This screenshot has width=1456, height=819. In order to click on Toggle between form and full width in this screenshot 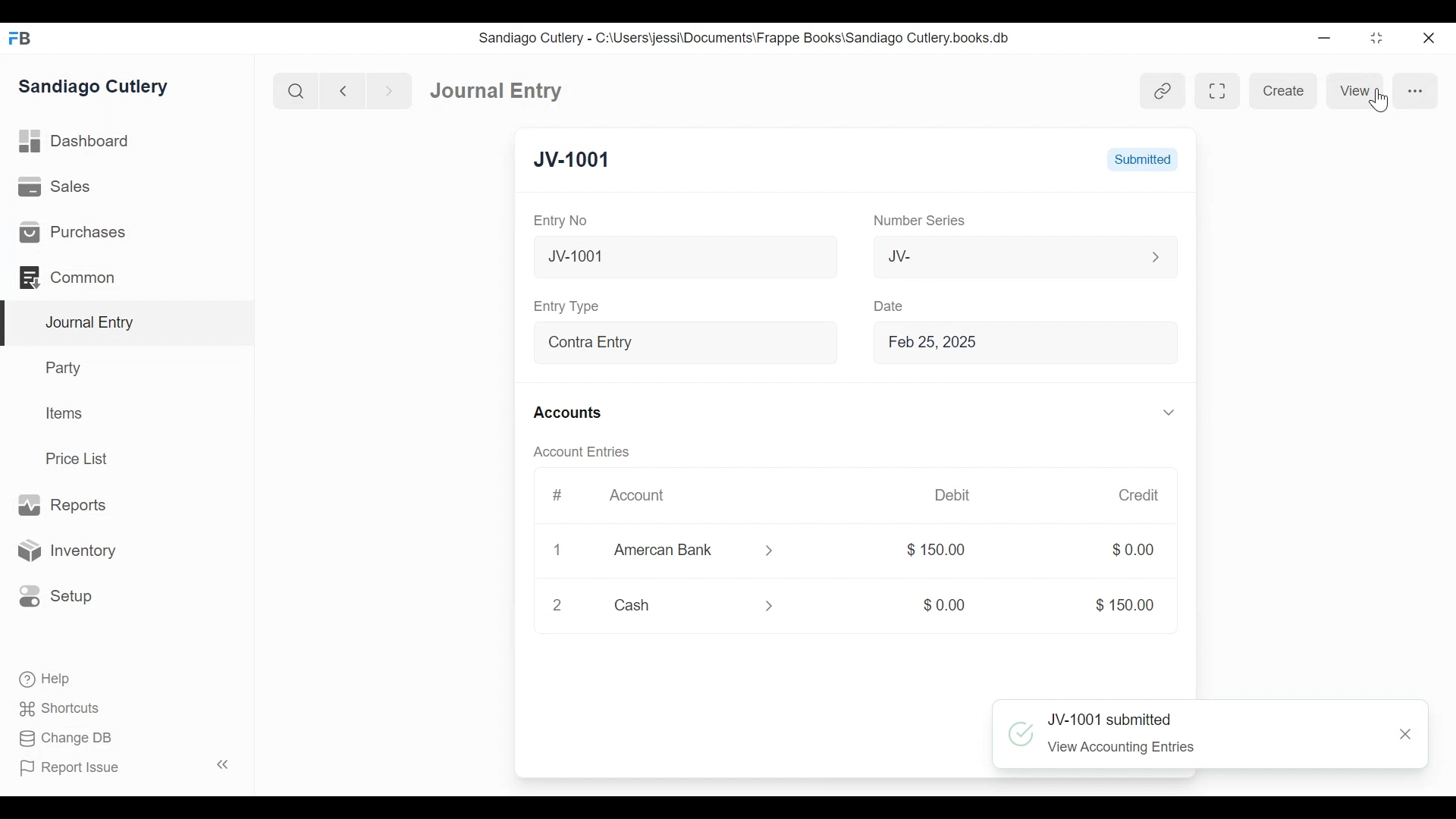, I will do `click(1219, 93)`.